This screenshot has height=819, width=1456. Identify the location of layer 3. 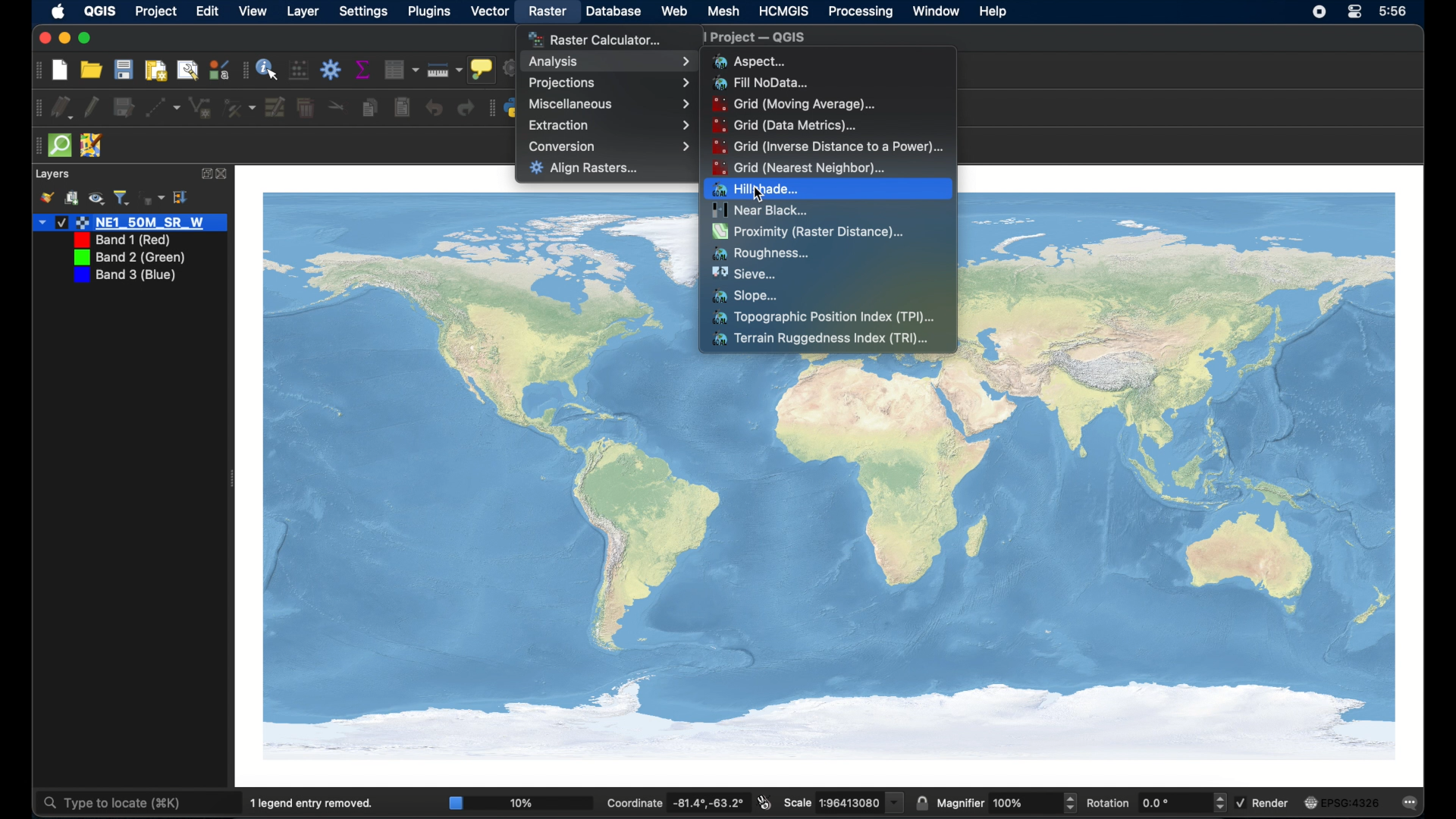
(128, 257).